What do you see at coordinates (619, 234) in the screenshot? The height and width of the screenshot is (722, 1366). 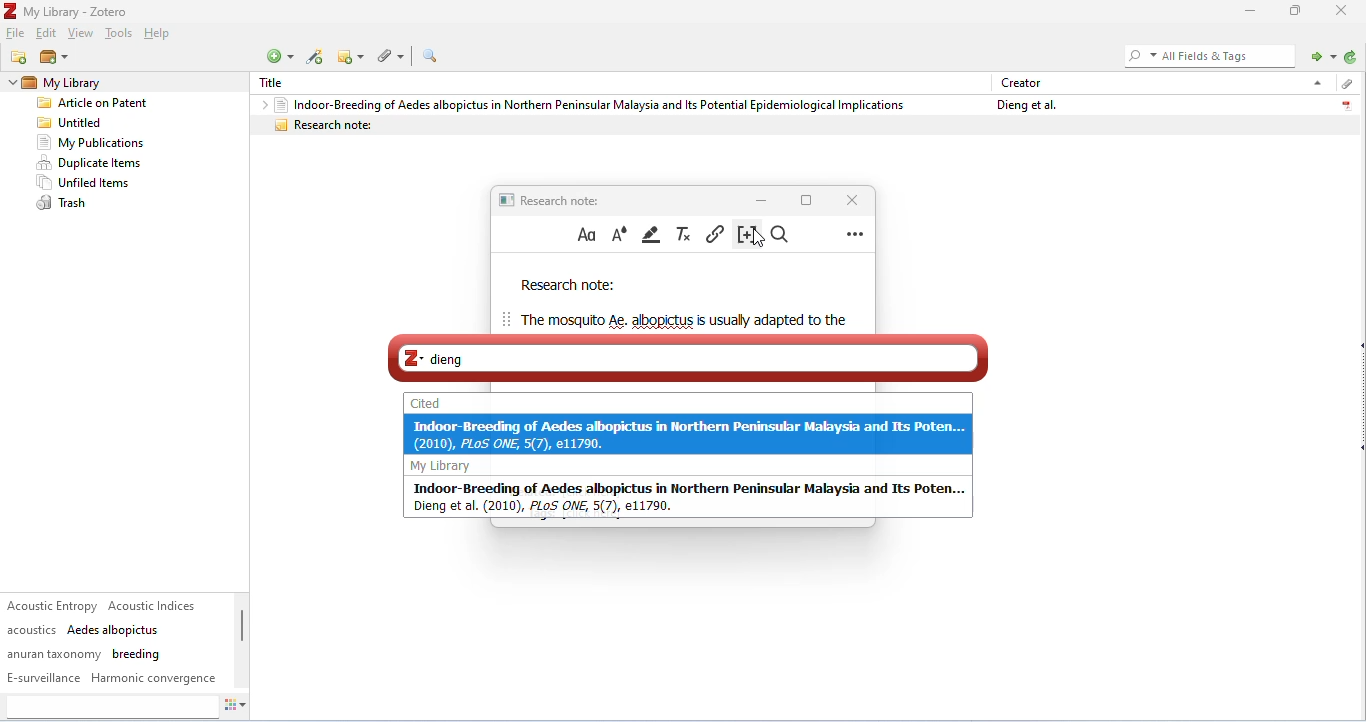 I see `text color` at bounding box center [619, 234].